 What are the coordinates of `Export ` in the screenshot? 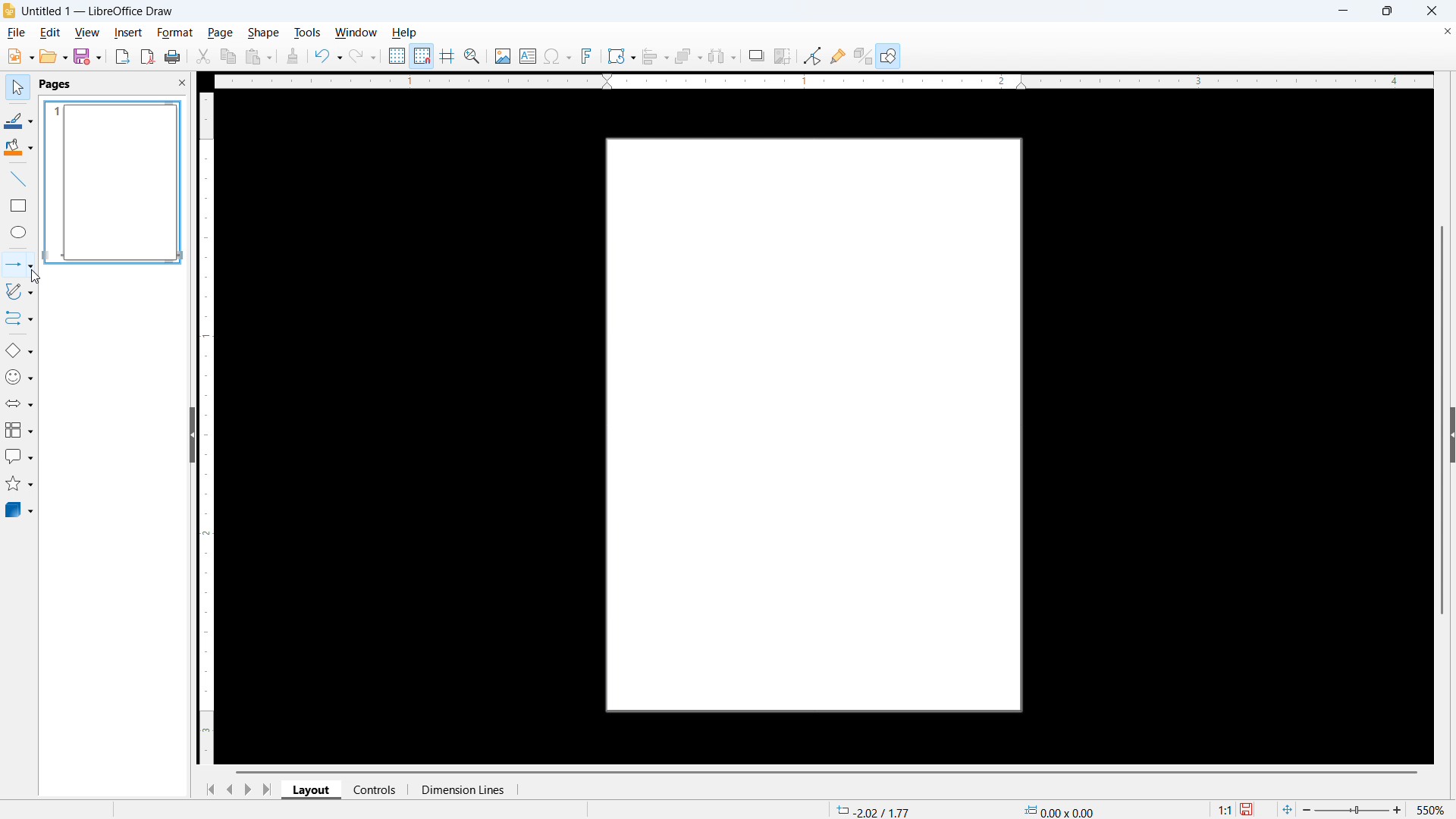 It's located at (123, 57).